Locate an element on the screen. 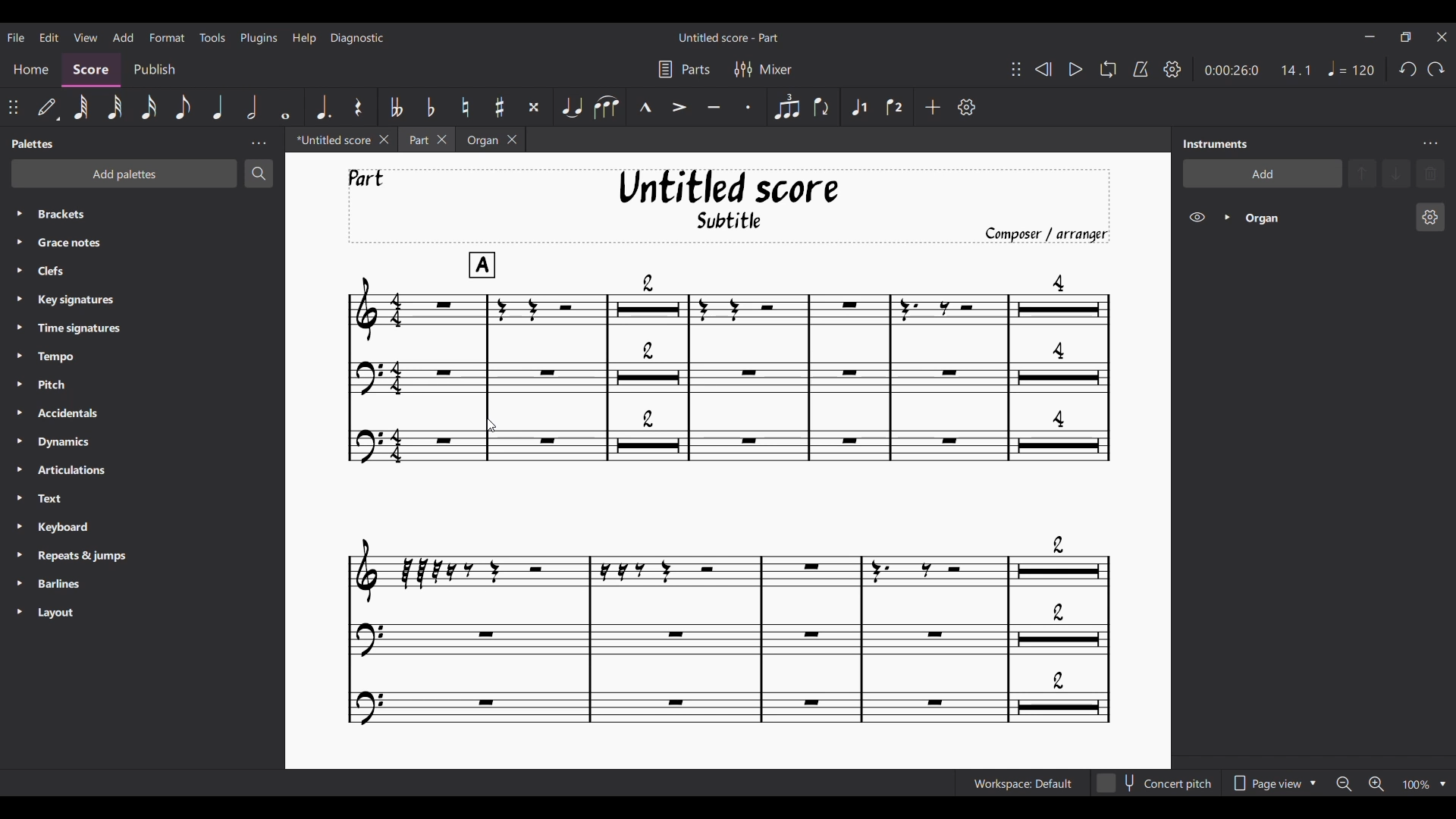 This screenshot has width=1456, height=819. Move selection down is located at coordinates (1396, 174).